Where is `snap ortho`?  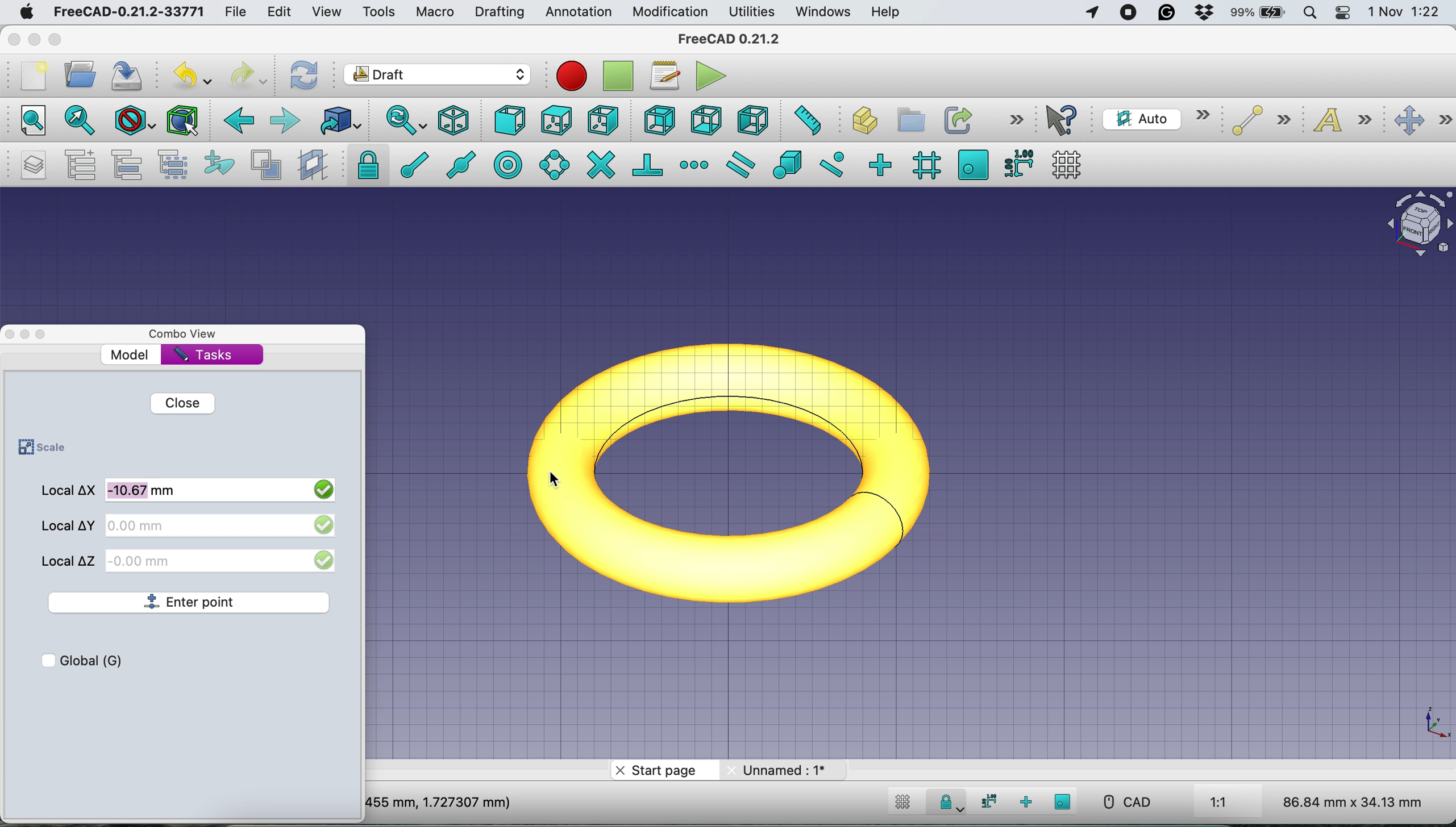
snap ortho is located at coordinates (1024, 801).